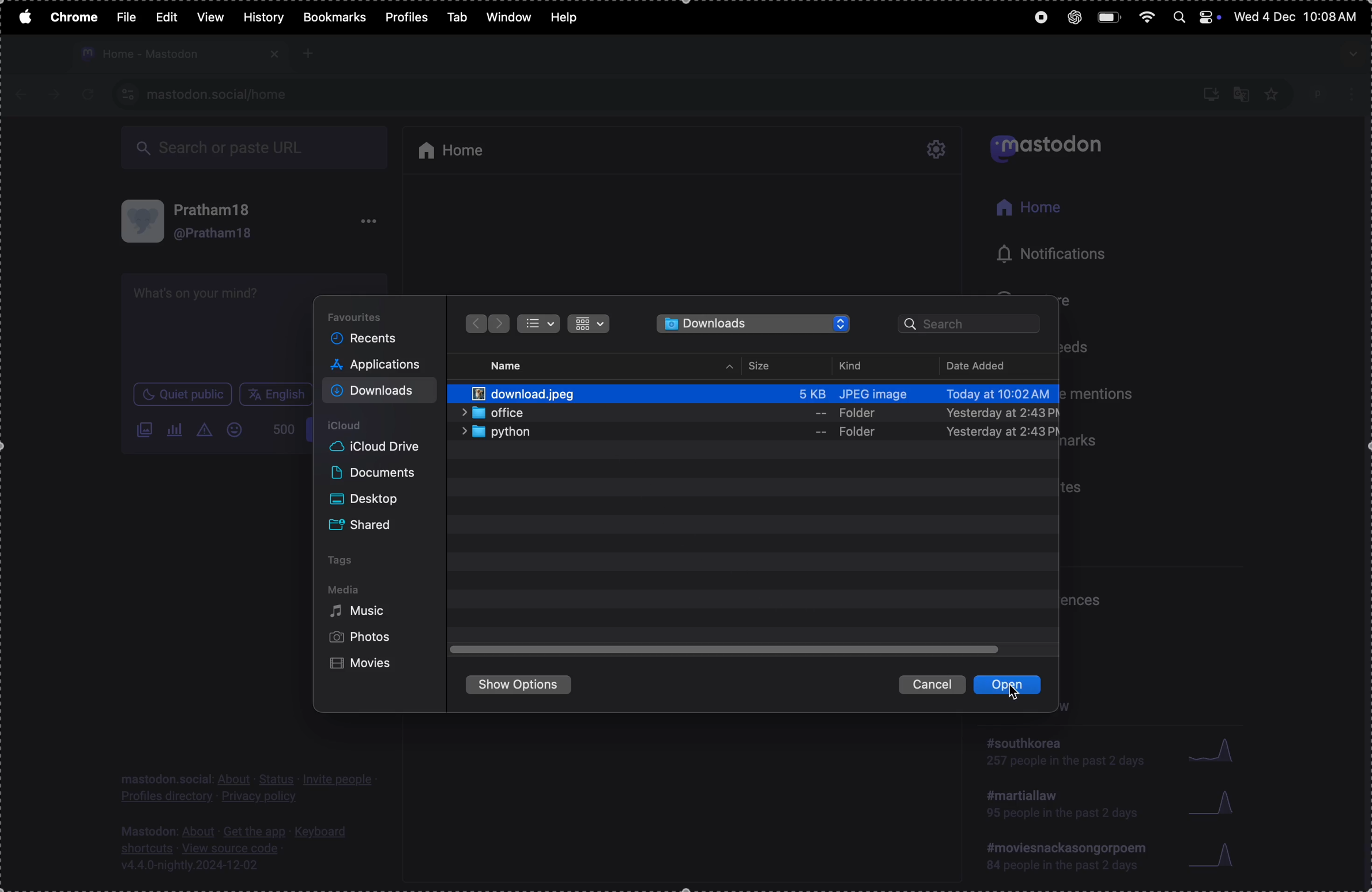  Describe the element at coordinates (72, 17) in the screenshot. I see `Chrome` at that location.